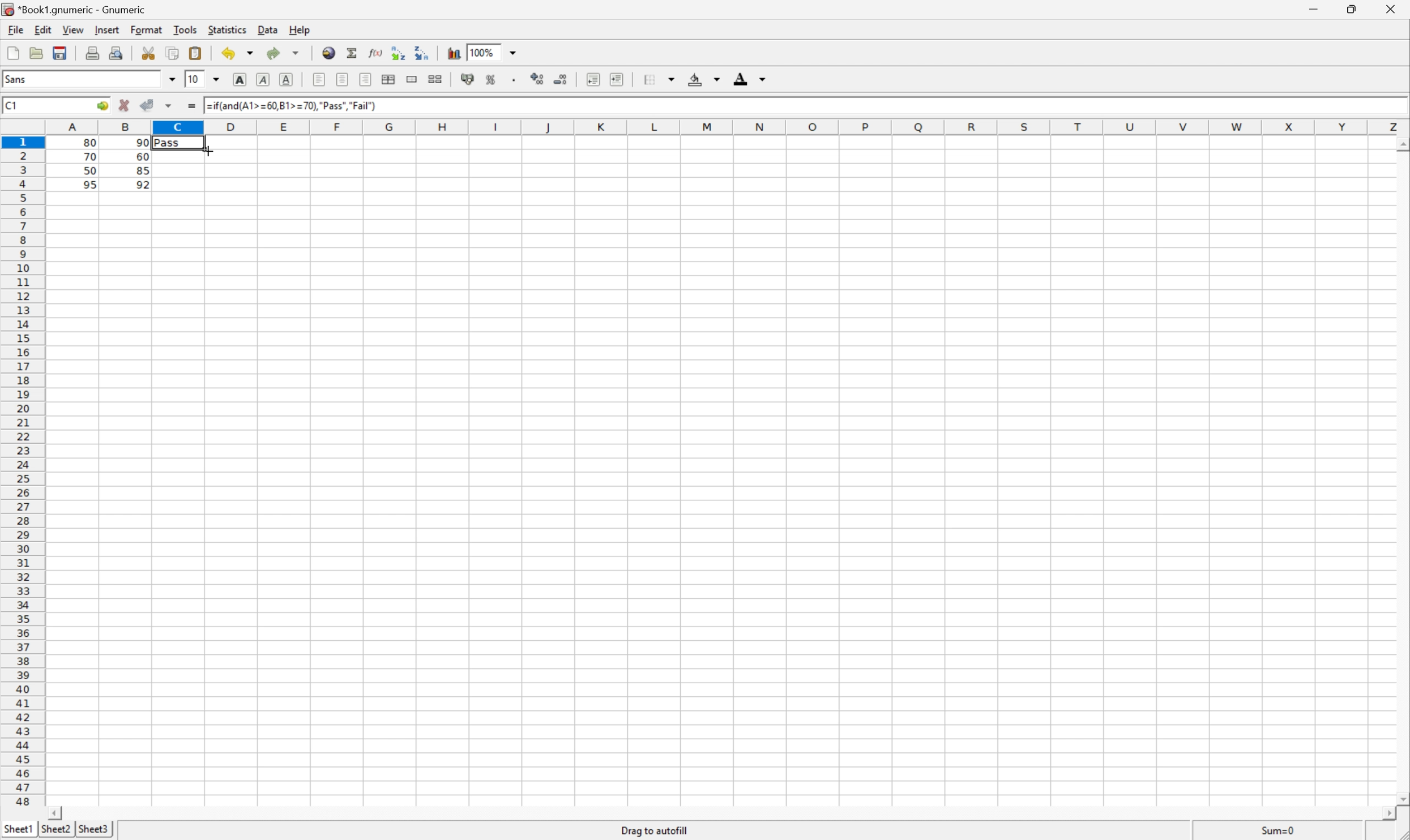 This screenshot has height=840, width=1410. What do you see at coordinates (264, 79) in the screenshot?
I see `Italic` at bounding box center [264, 79].